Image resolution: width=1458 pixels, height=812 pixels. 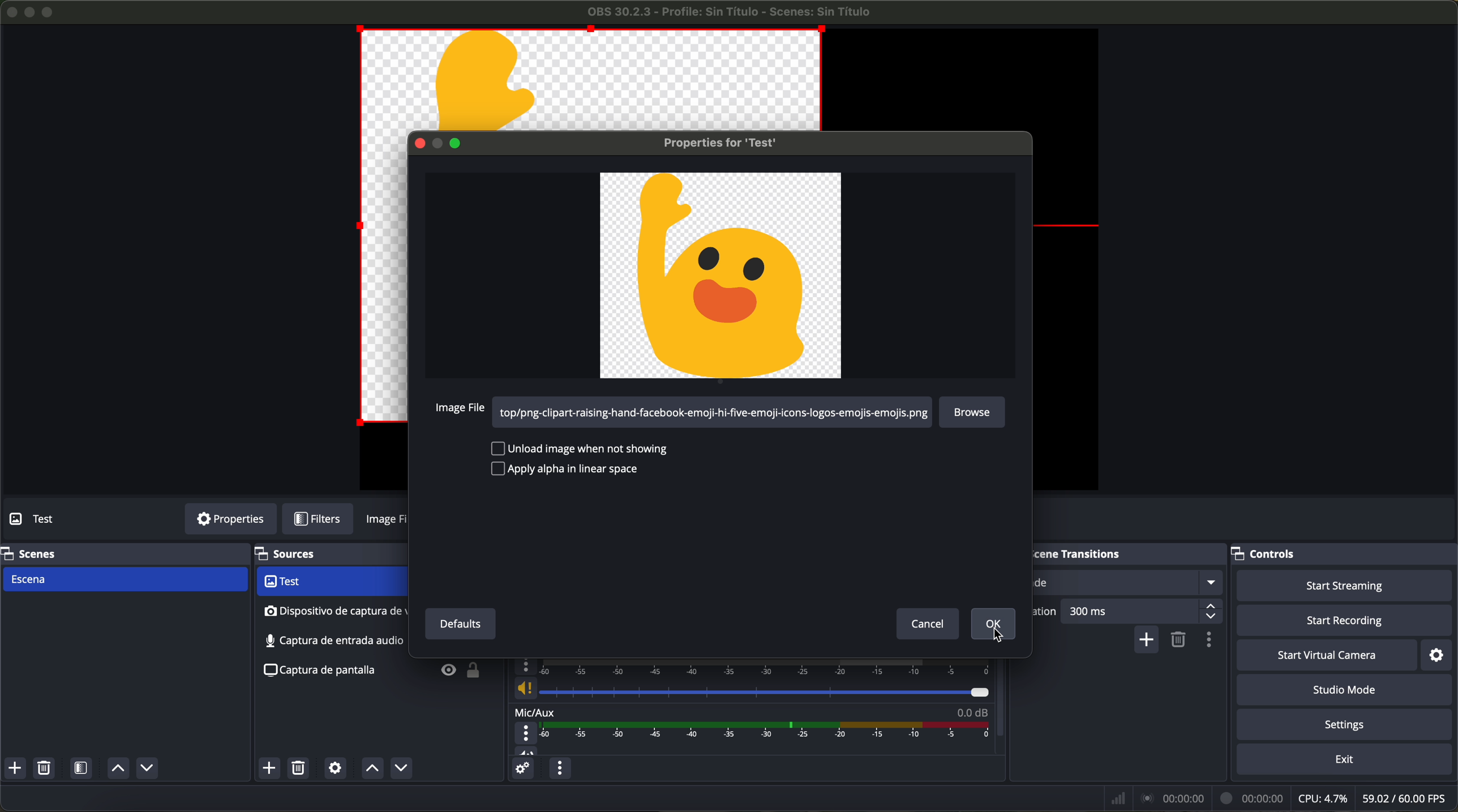 What do you see at coordinates (1180, 641) in the screenshot?
I see `remove configurable transition` at bounding box center [1180, 641].